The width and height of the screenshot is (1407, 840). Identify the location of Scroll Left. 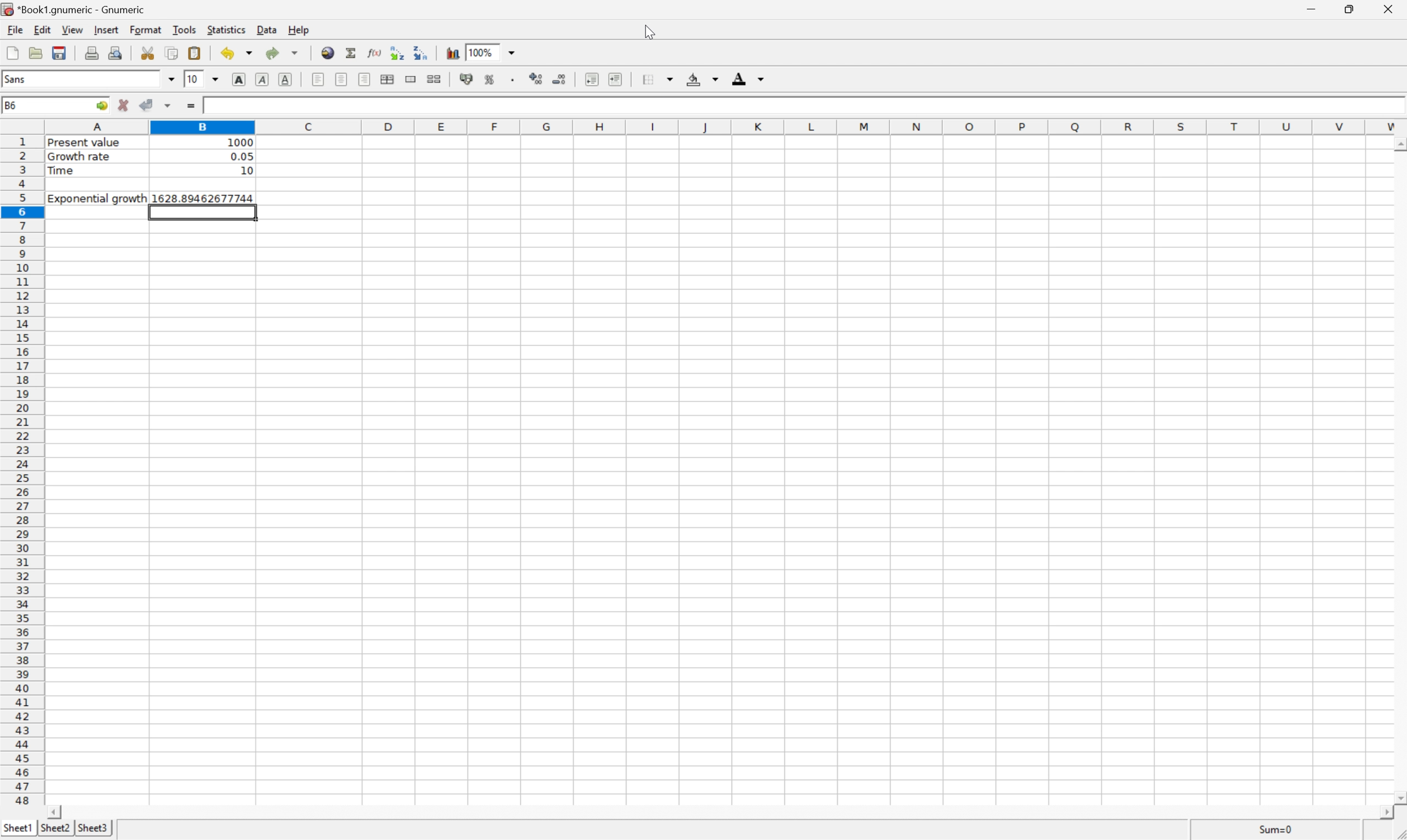
(57, 811).